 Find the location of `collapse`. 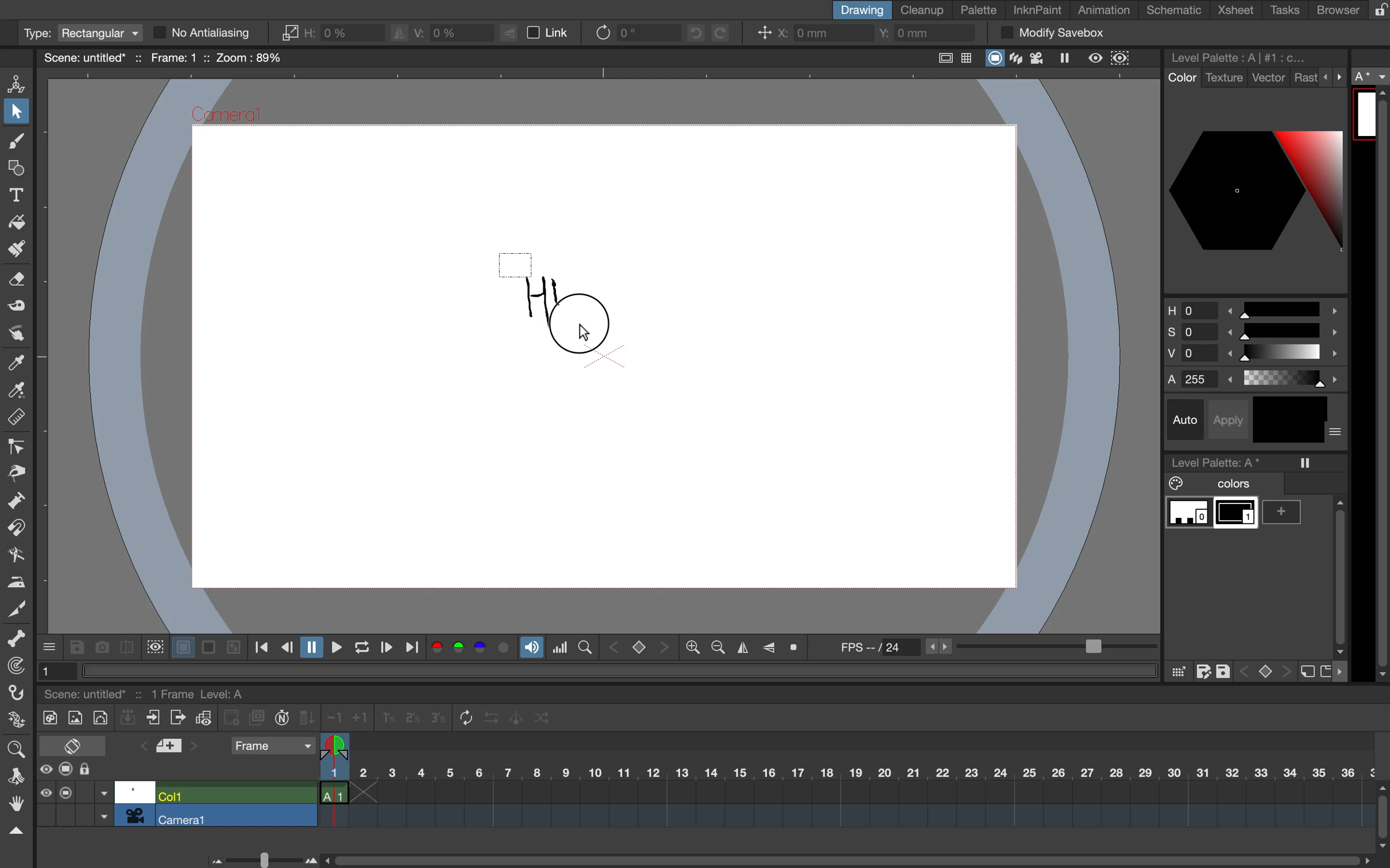

collapse is located at coordinates (128, 719).